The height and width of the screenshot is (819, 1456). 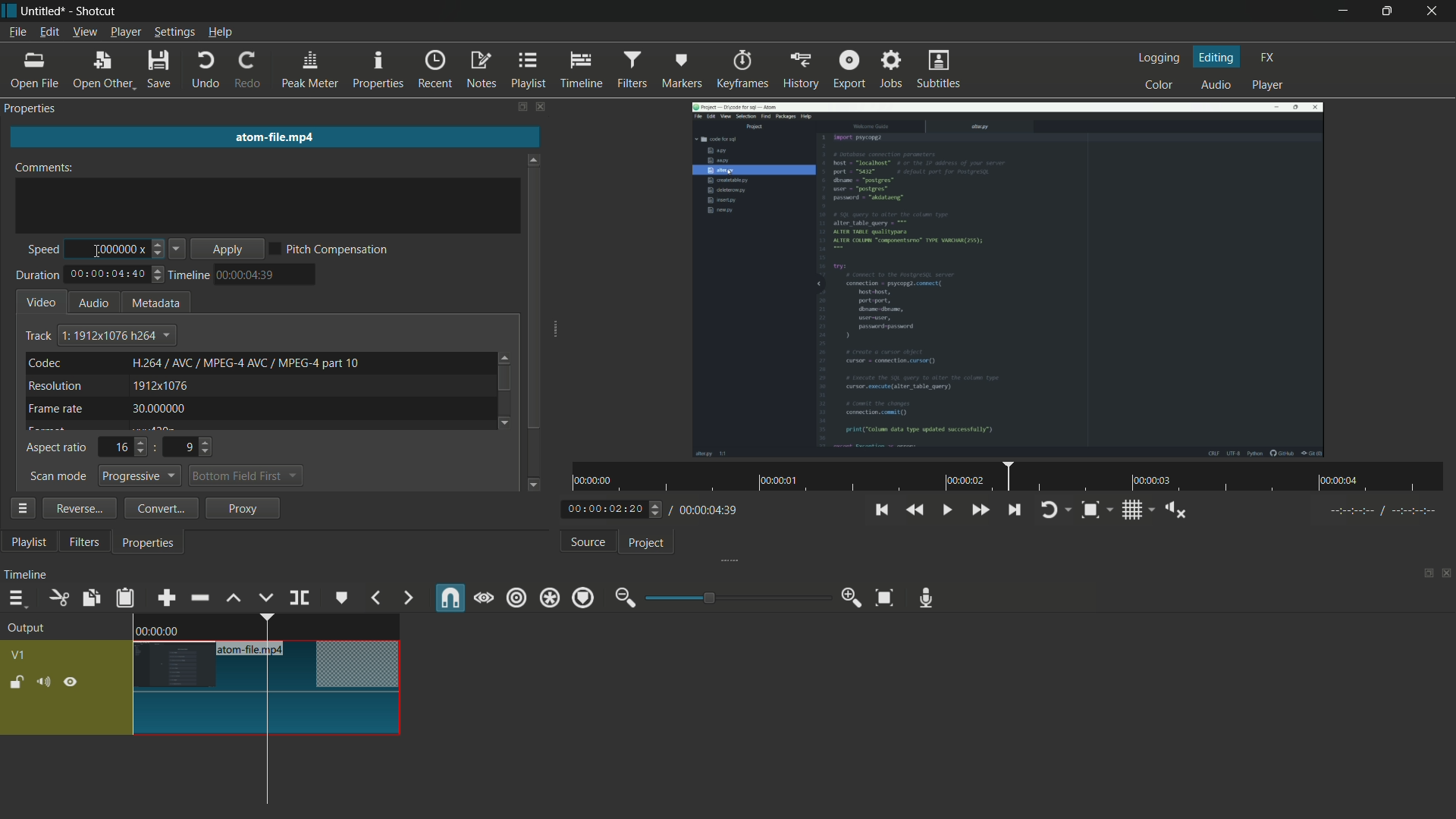 I want to click on playlist, so click(x=28, y=542).